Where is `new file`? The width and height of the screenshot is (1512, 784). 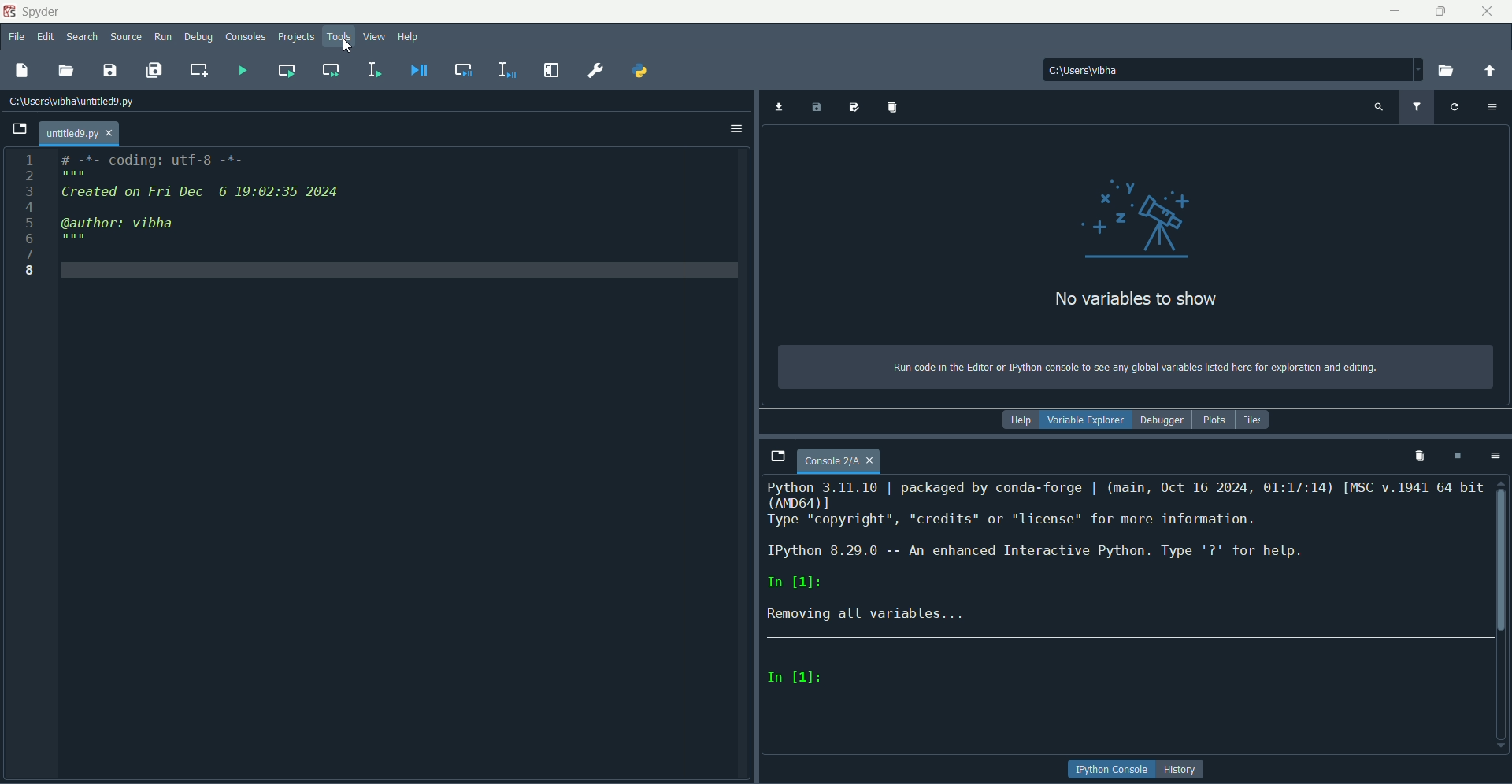 new file is located at coordinates (21, 70).